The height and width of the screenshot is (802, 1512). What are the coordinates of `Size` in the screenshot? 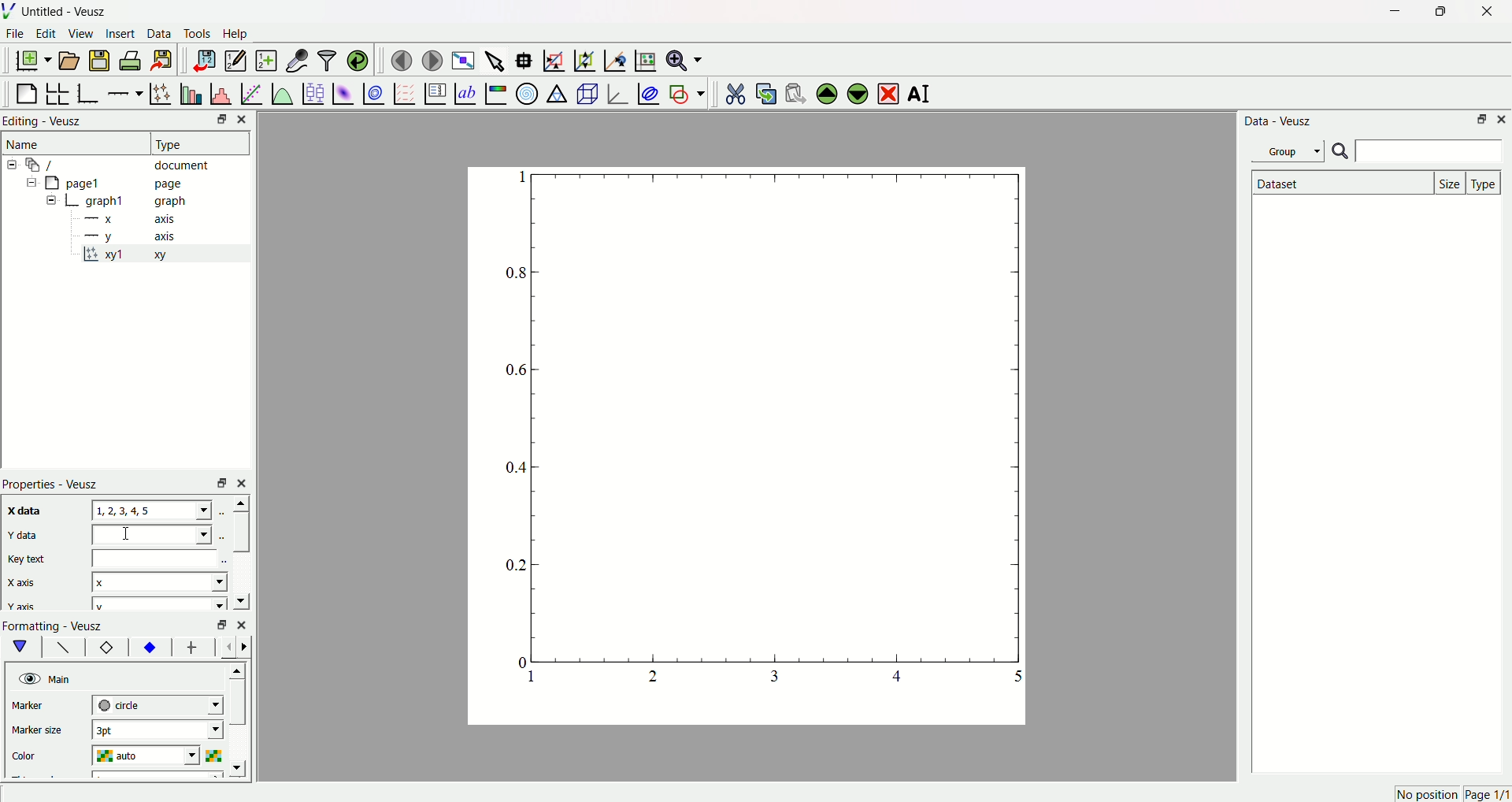 It's located at (1451, 182).